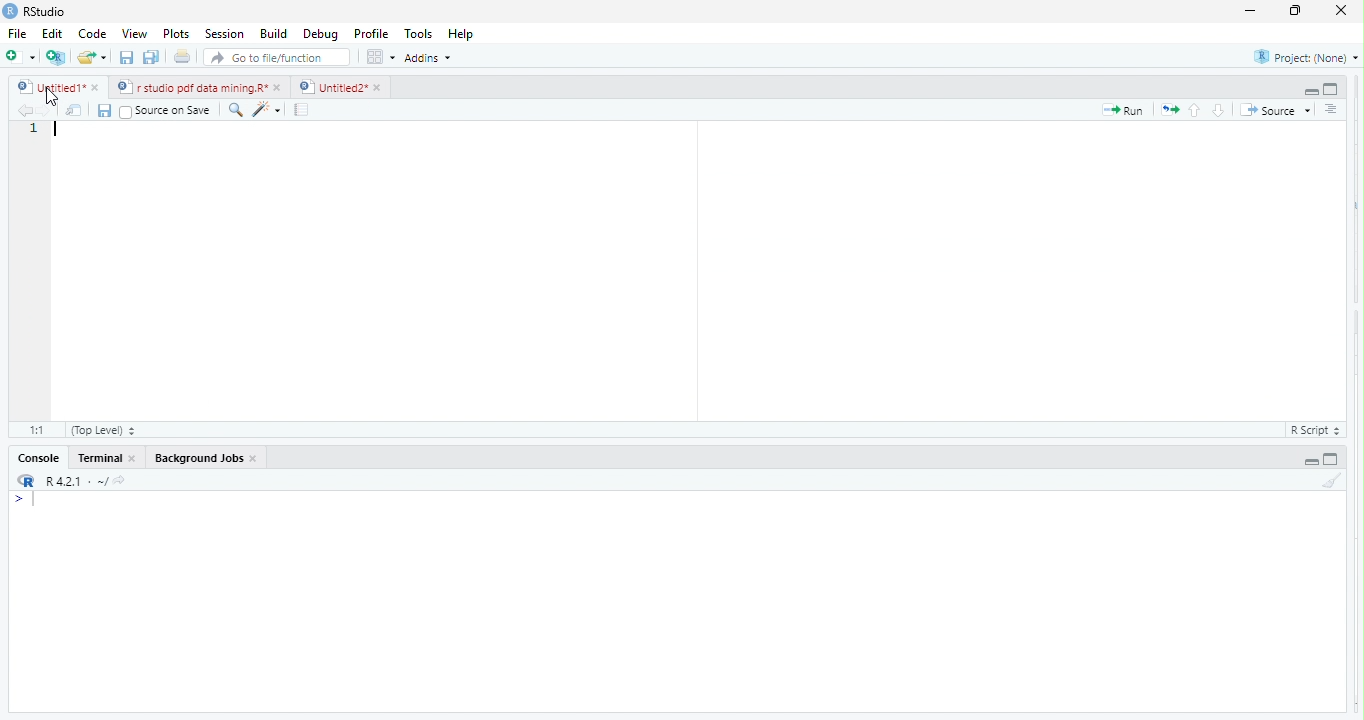  I want to click on compile report, so click(303, 111).